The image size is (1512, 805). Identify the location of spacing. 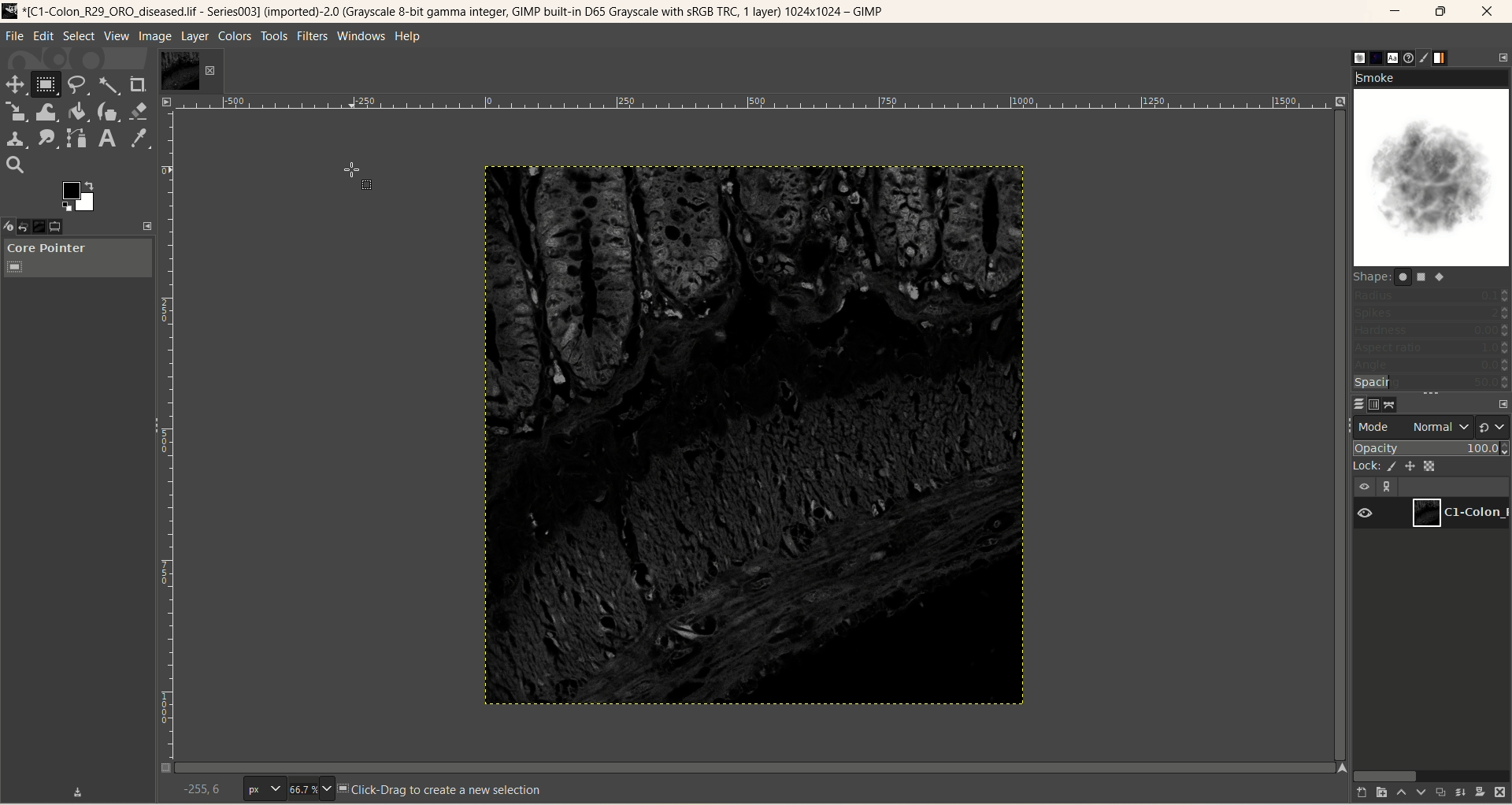
(1431, 383).